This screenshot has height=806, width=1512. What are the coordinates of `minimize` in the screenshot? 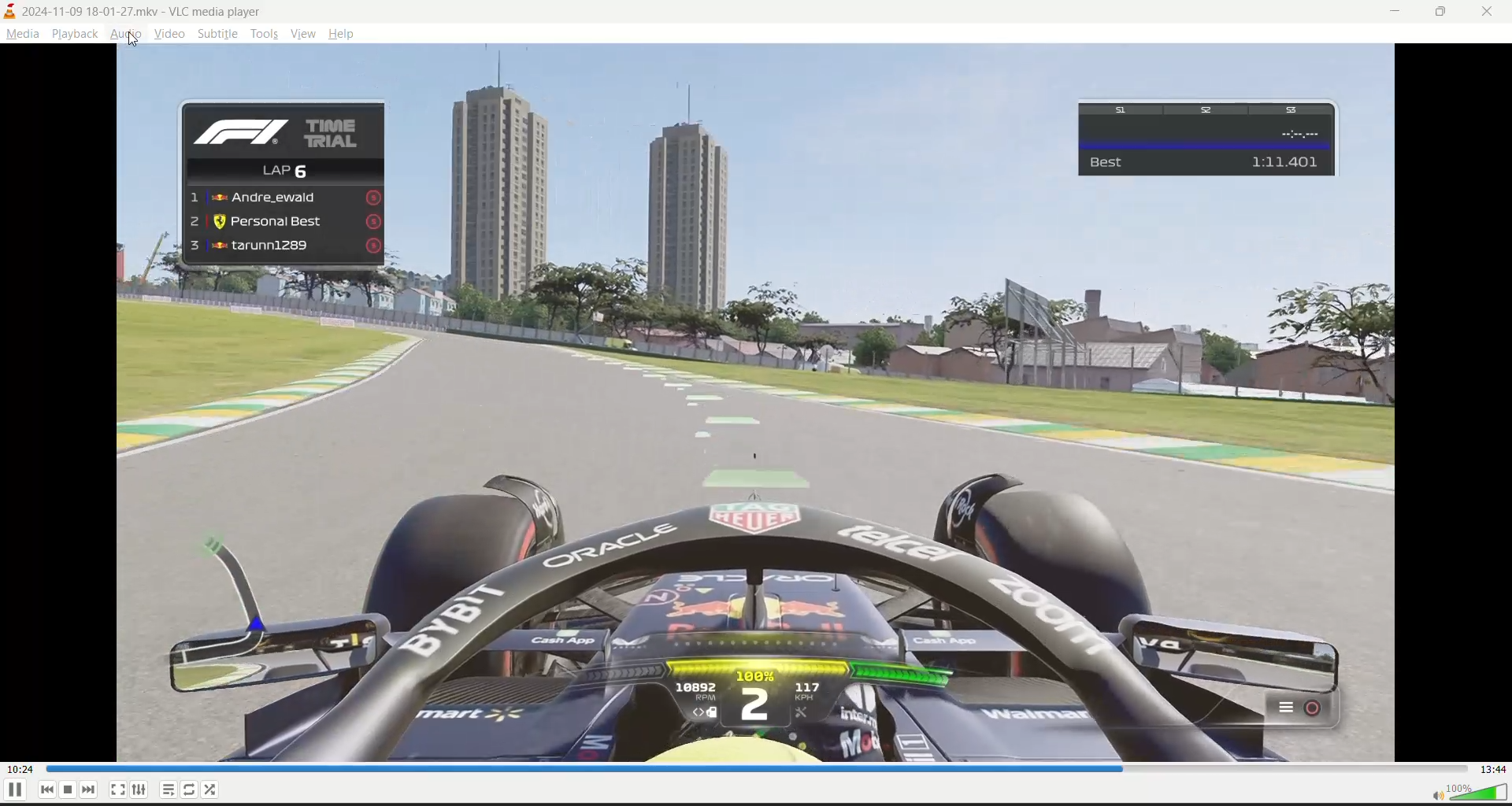 It's located at (1401, 12).